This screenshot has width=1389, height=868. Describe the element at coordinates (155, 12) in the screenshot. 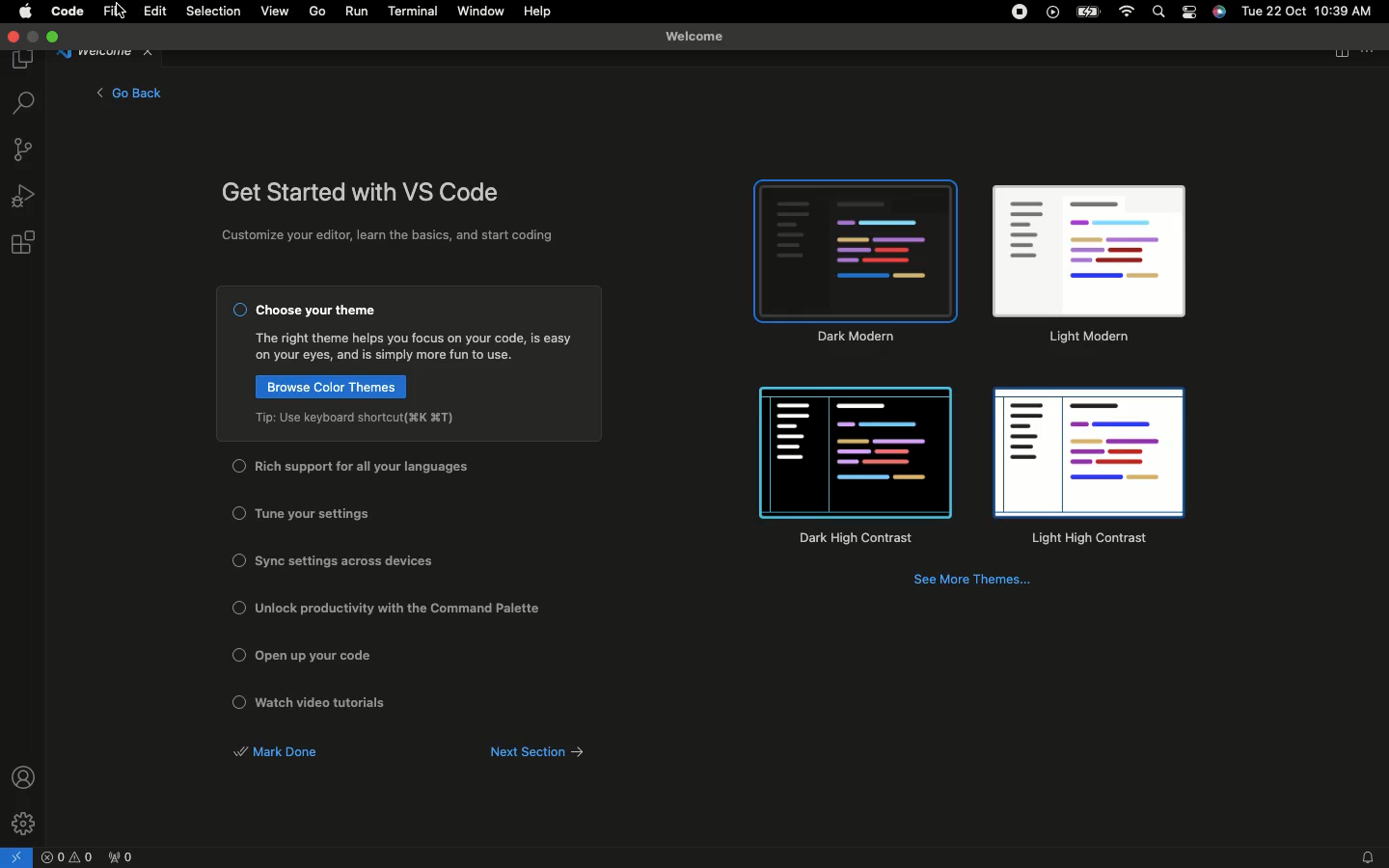

I see `Edit` at that location.